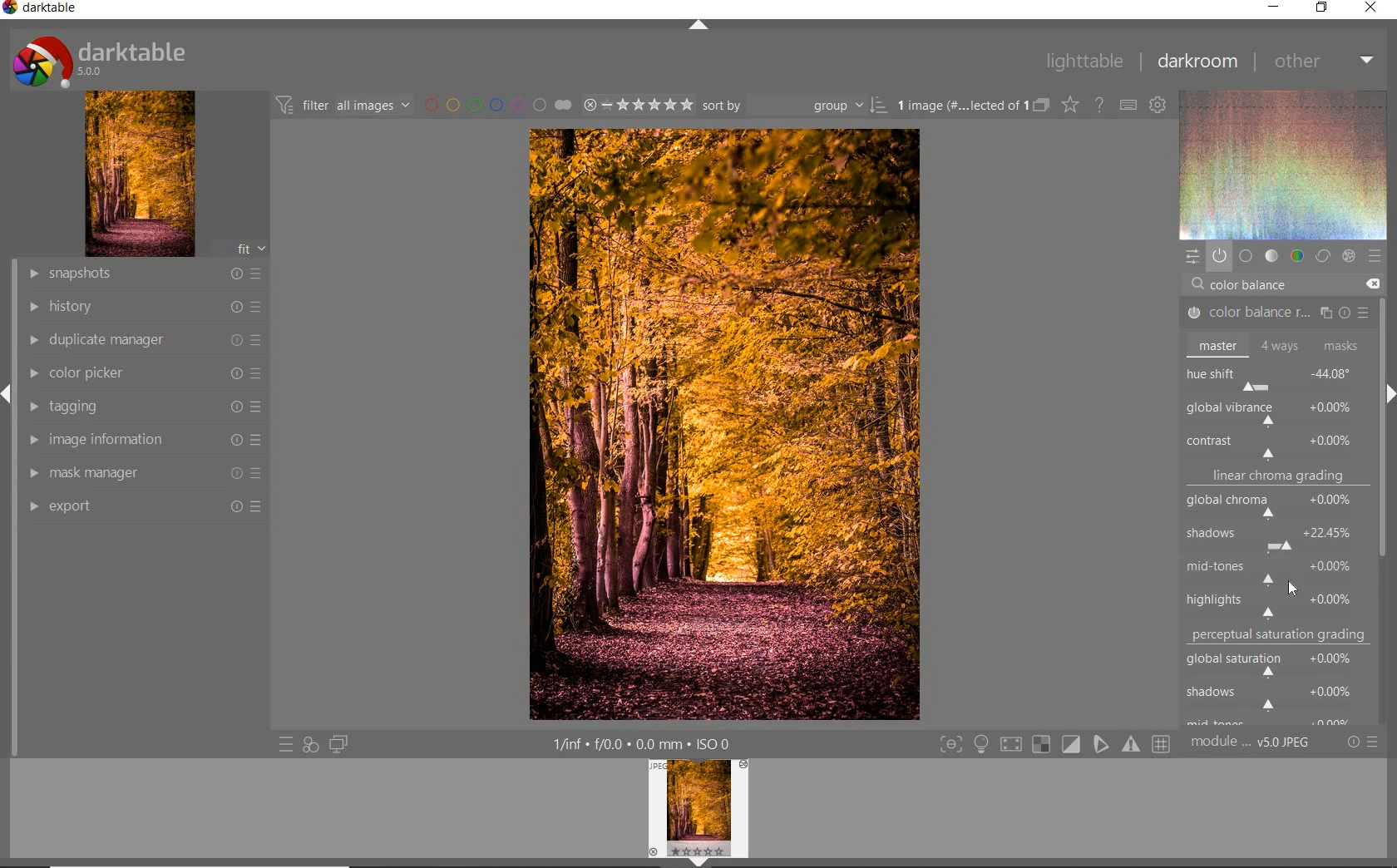  I want to click on highlights, so click(1281, 601).